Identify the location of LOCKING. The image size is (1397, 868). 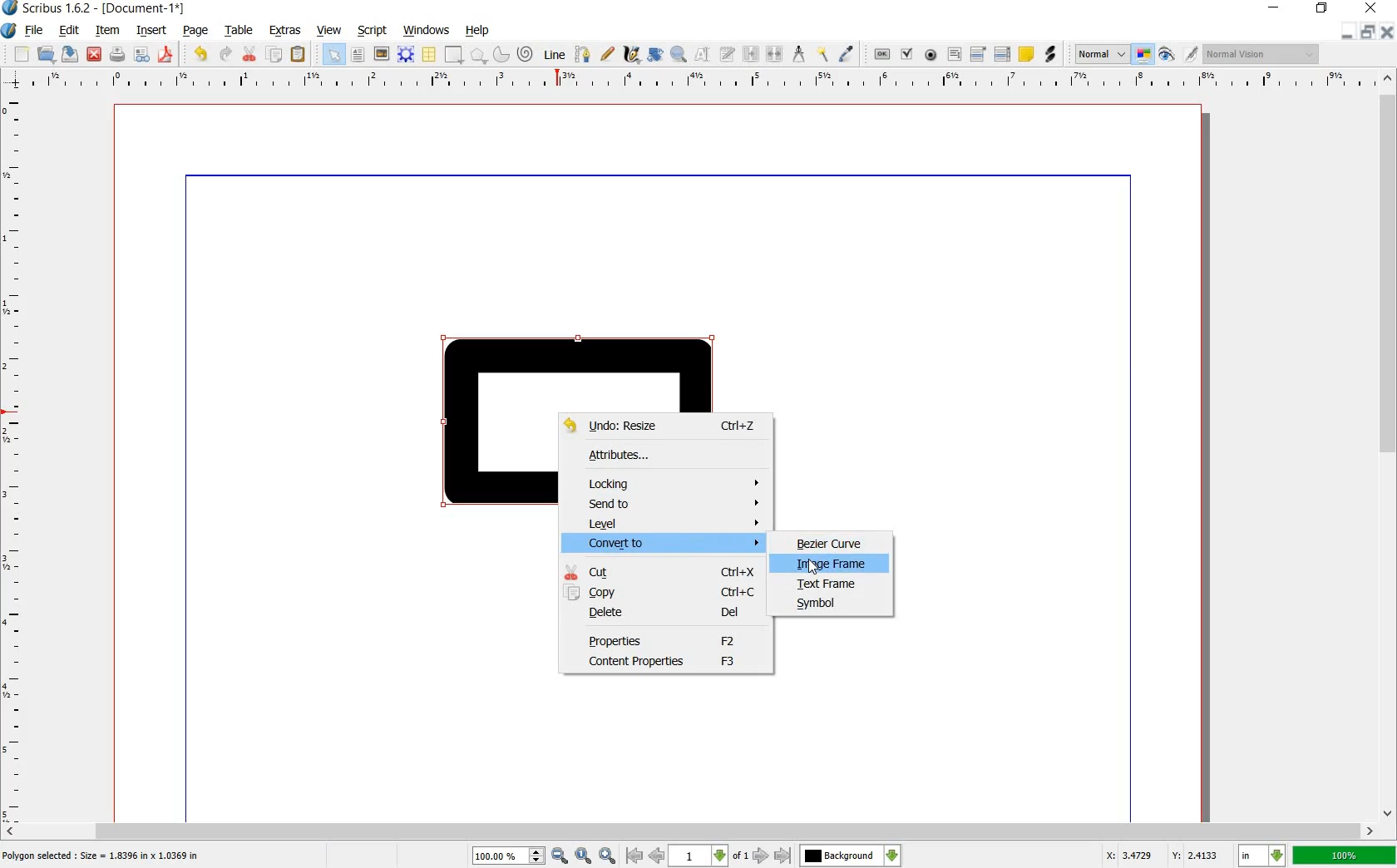
(669, 481).